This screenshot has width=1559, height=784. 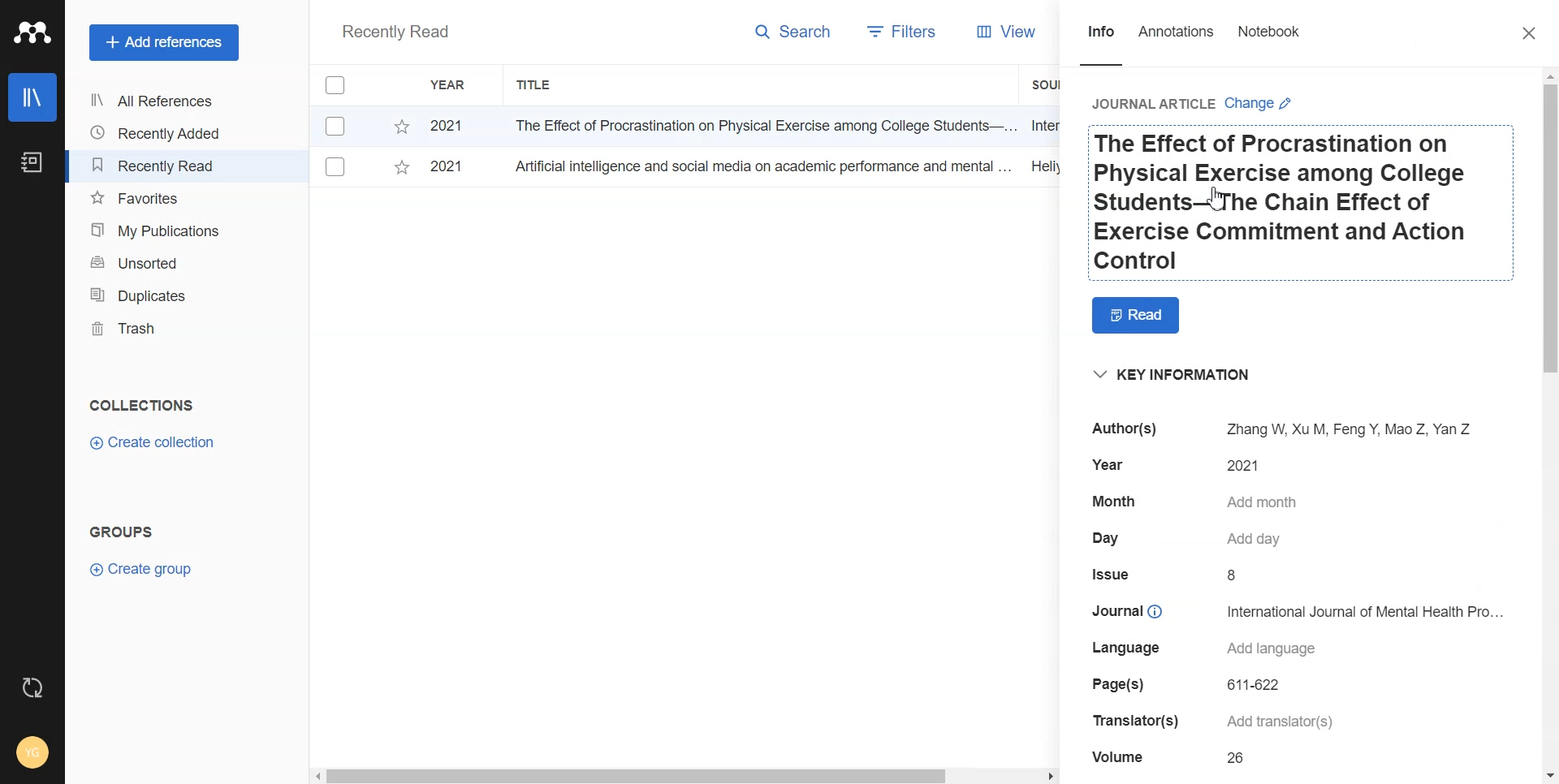 What do you see at coordinates (1302, 205) in the screenshot?
I see `The Effect of Procrastination on
Physical Exercise among College
Students—The Chain Effect of
Exercise Commitment and Action
Control` at bounding box center [1302, 205].